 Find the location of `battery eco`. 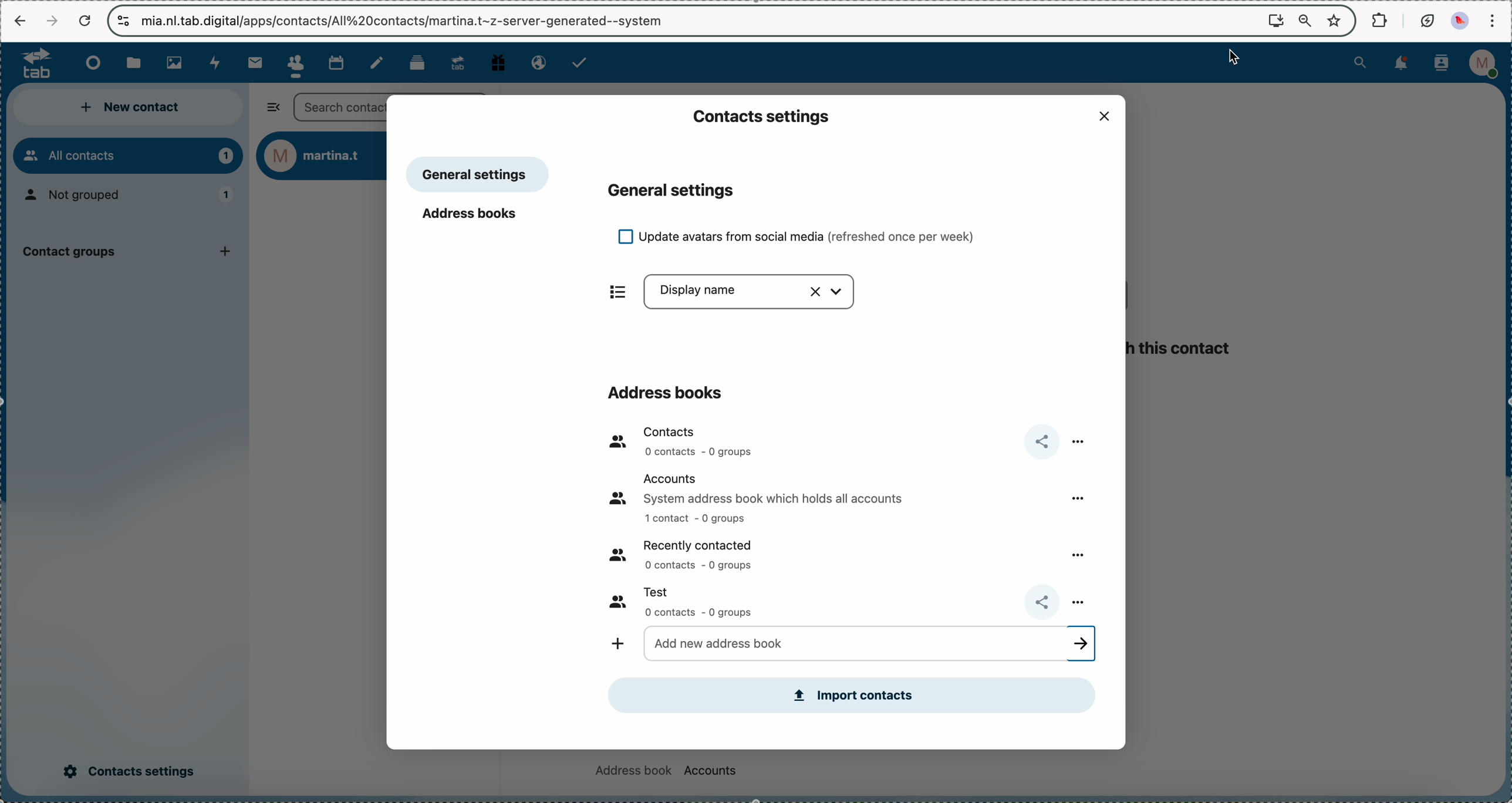

battery eco is located at coordinates (1427, 20).